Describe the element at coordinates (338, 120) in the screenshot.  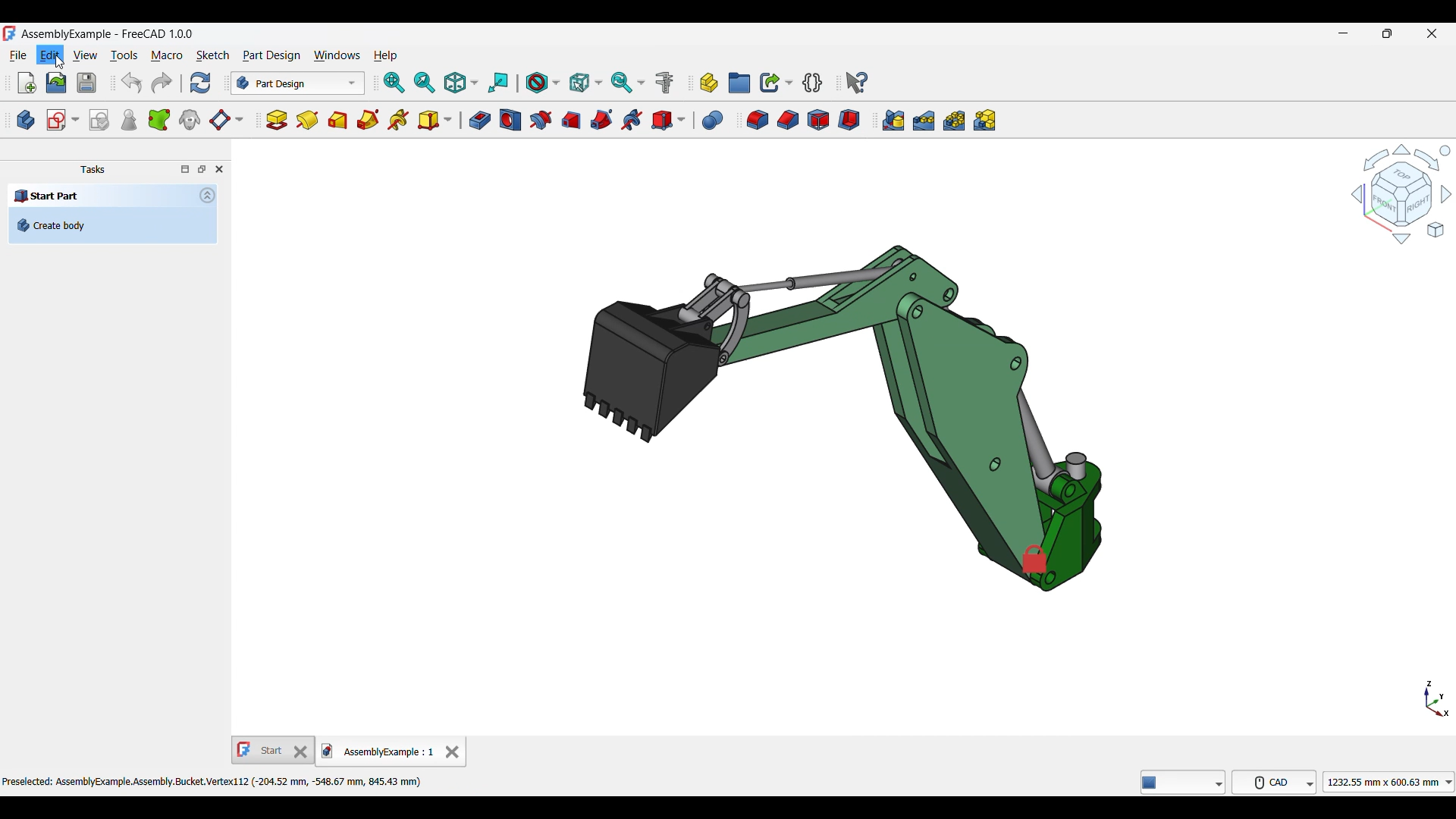
I see `Additive loft` at that location.